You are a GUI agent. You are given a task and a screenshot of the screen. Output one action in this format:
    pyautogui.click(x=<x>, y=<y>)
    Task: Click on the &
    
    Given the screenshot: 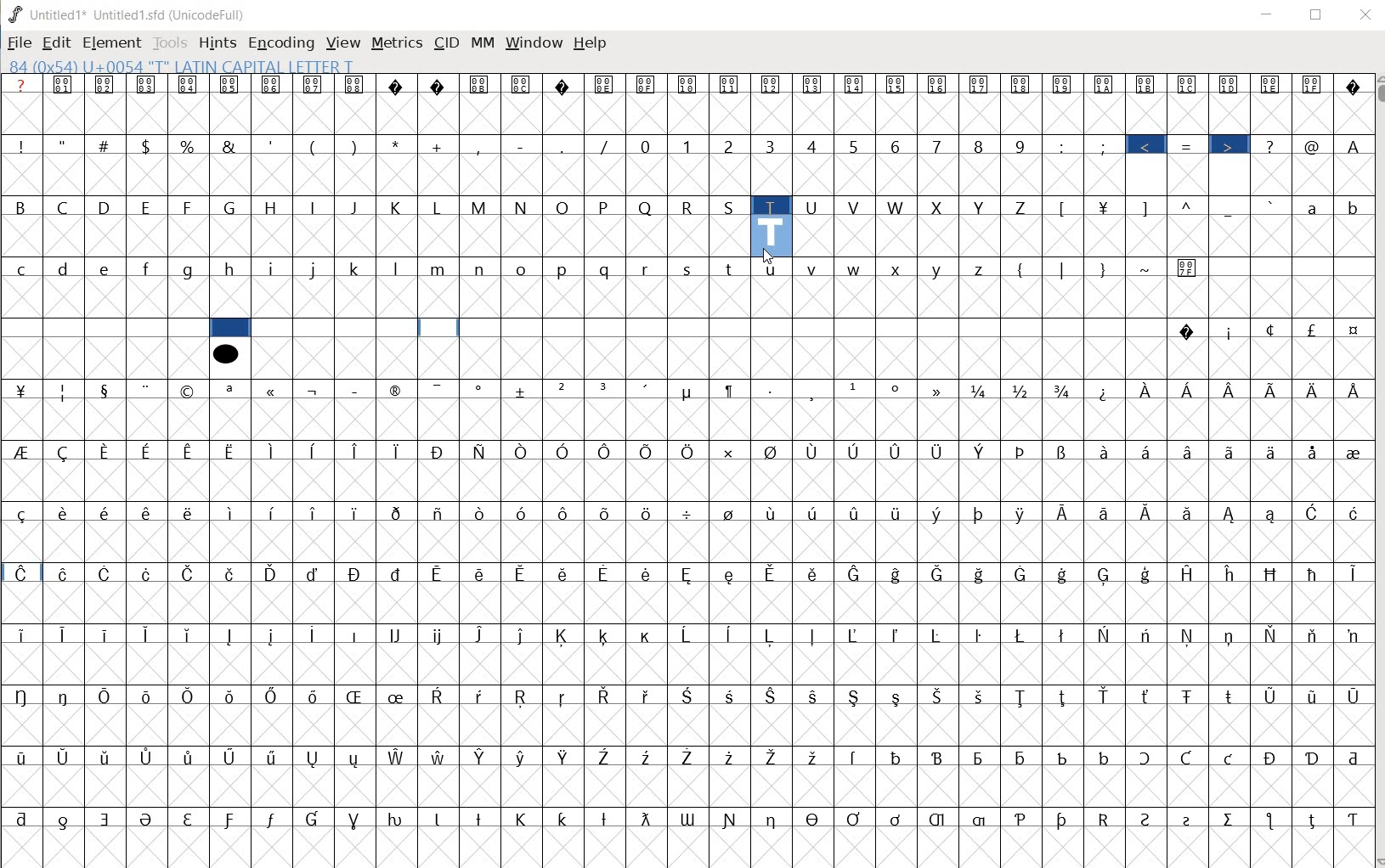 What is the action you would take?
    pyautogui.click(x=229, y=144)
    